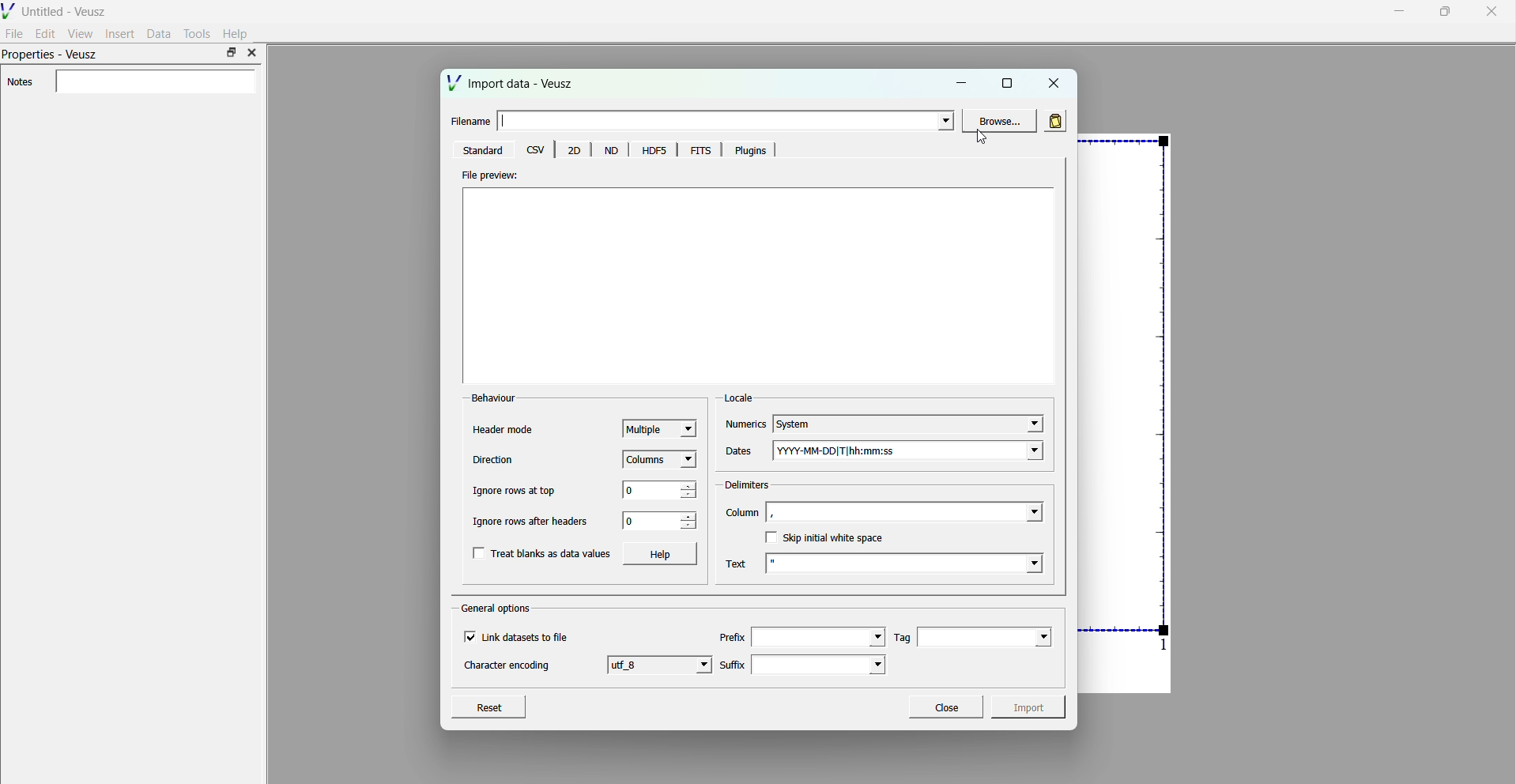 The image size is (1516, 784). What do you see at coordinates (492, 459) in the screenshot?
I see `Direction’` at bounding box center [492, 459].